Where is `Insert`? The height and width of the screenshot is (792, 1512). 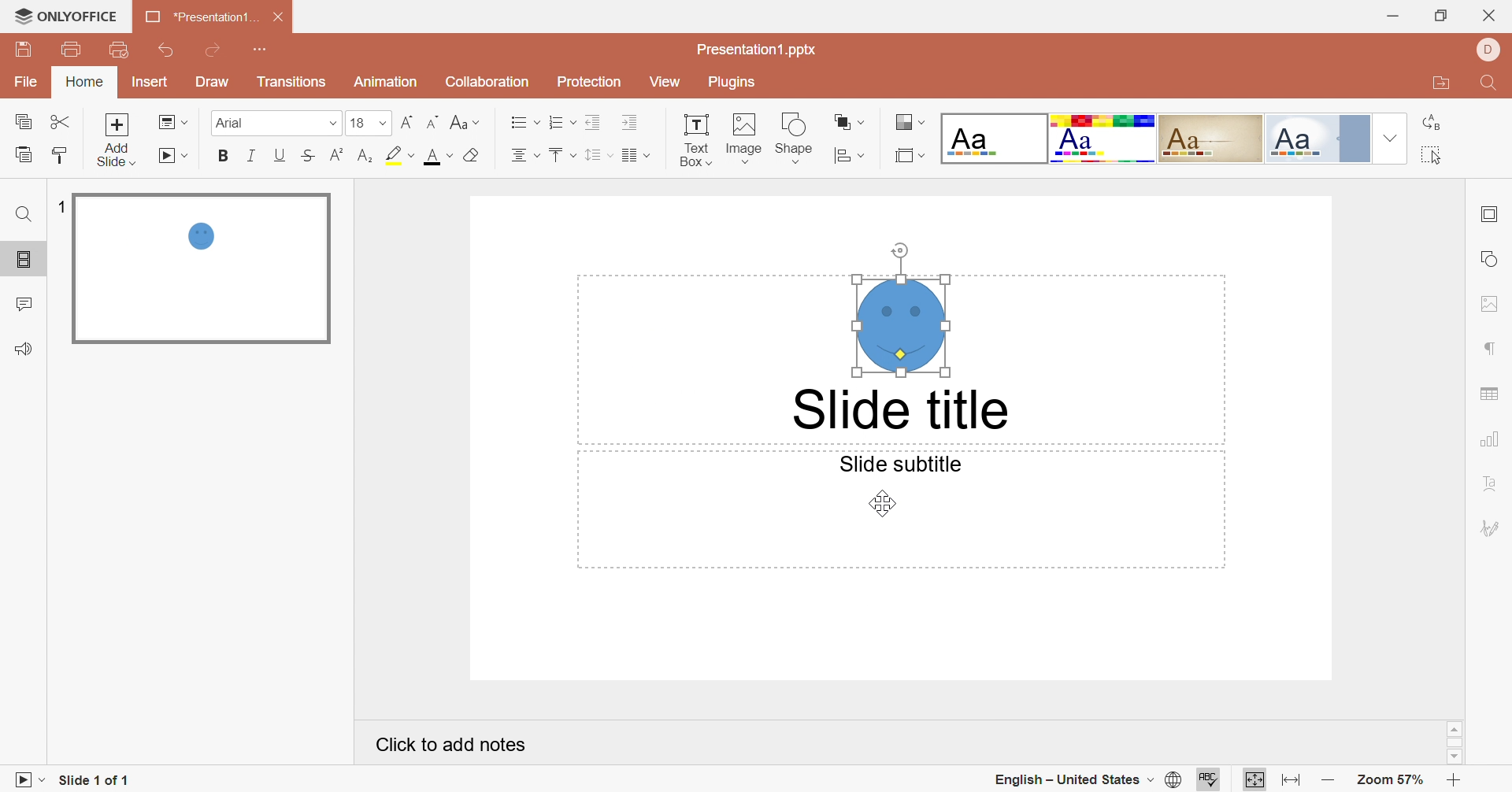
Insert is located at coordinates (150, 83).